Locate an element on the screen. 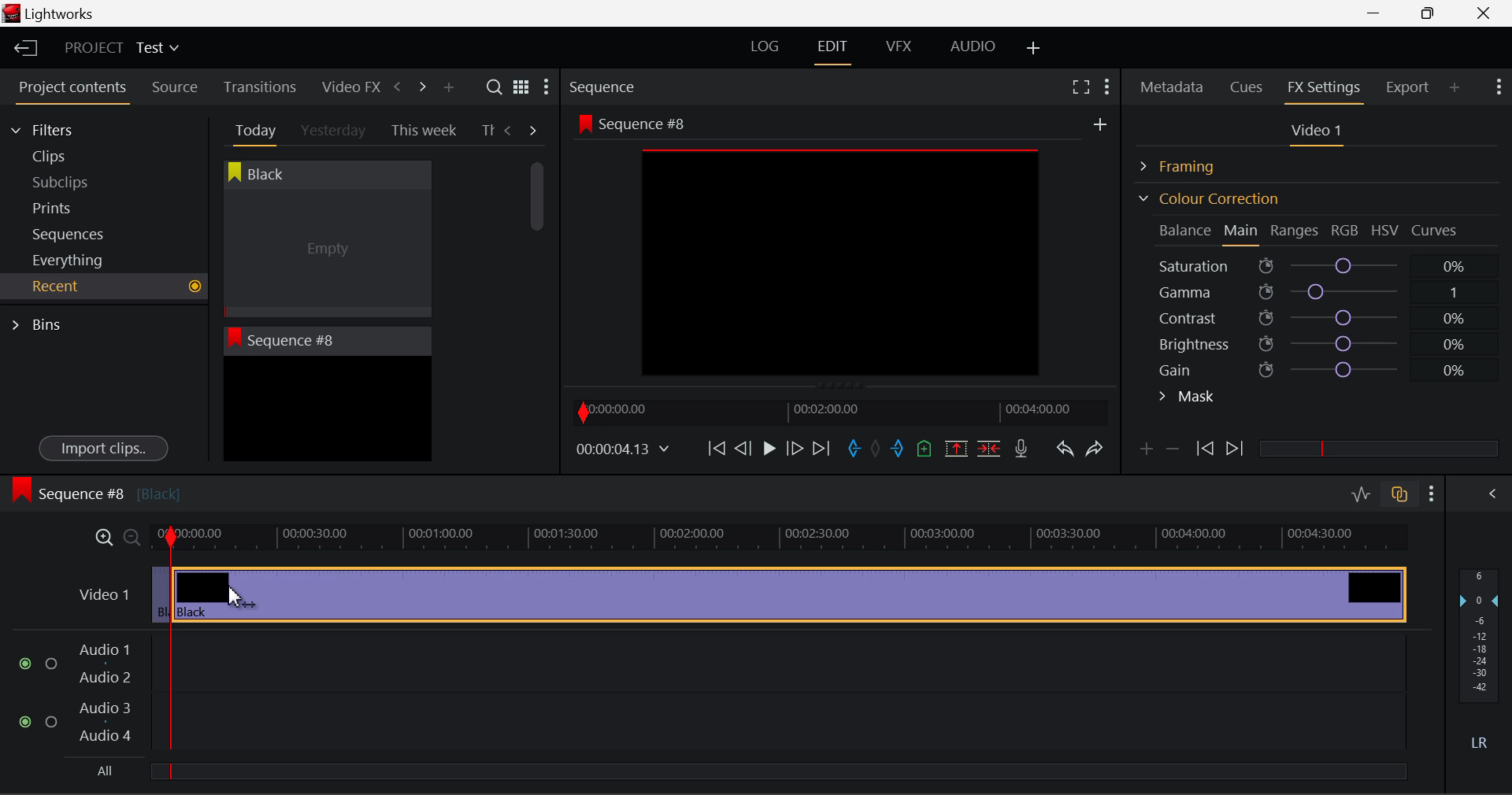  Recrod Voiceover is located at coordinates (1021, 448).